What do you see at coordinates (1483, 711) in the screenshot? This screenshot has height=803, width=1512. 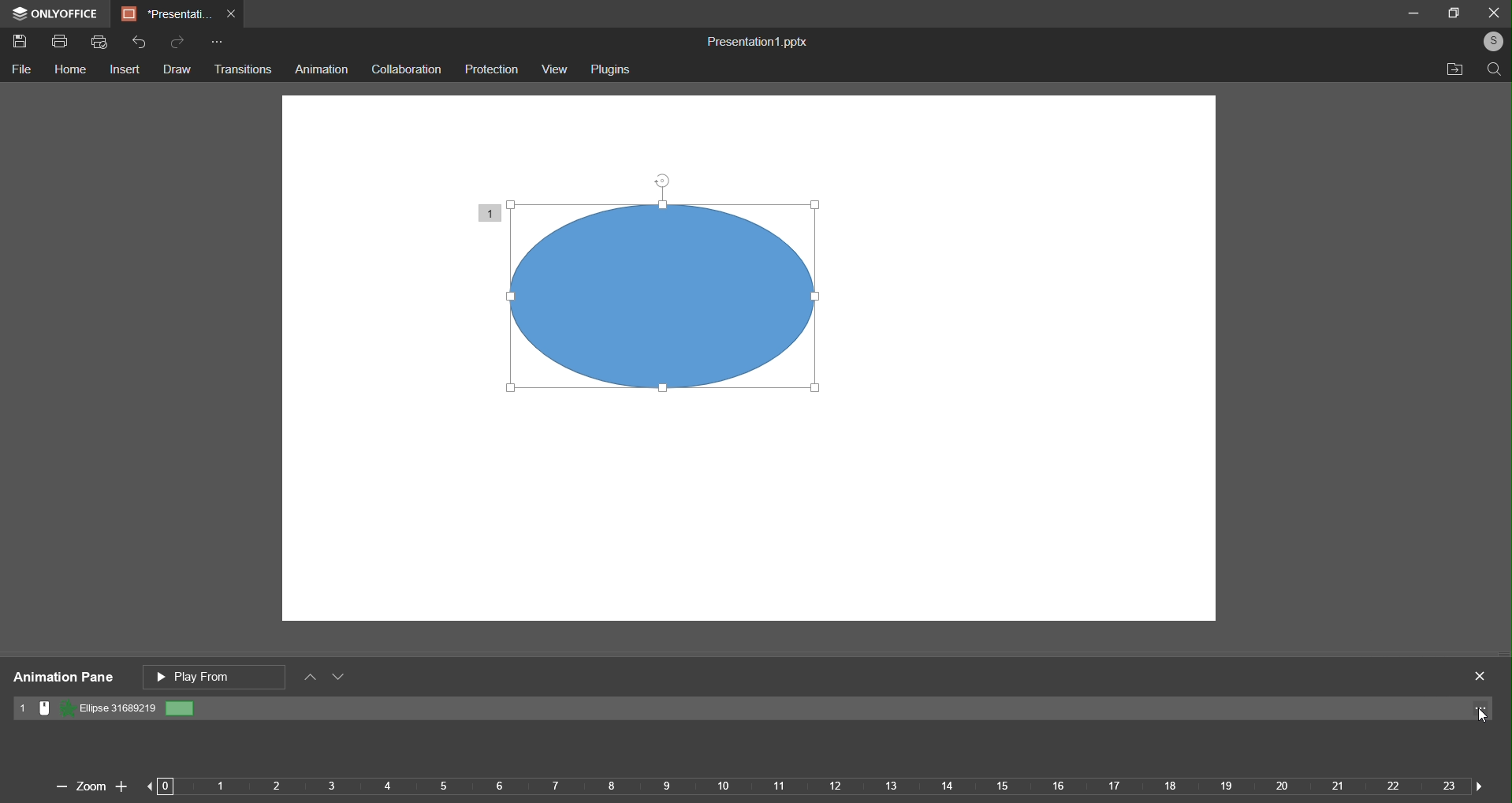 I see `More` at bounding box center [1483, 711].